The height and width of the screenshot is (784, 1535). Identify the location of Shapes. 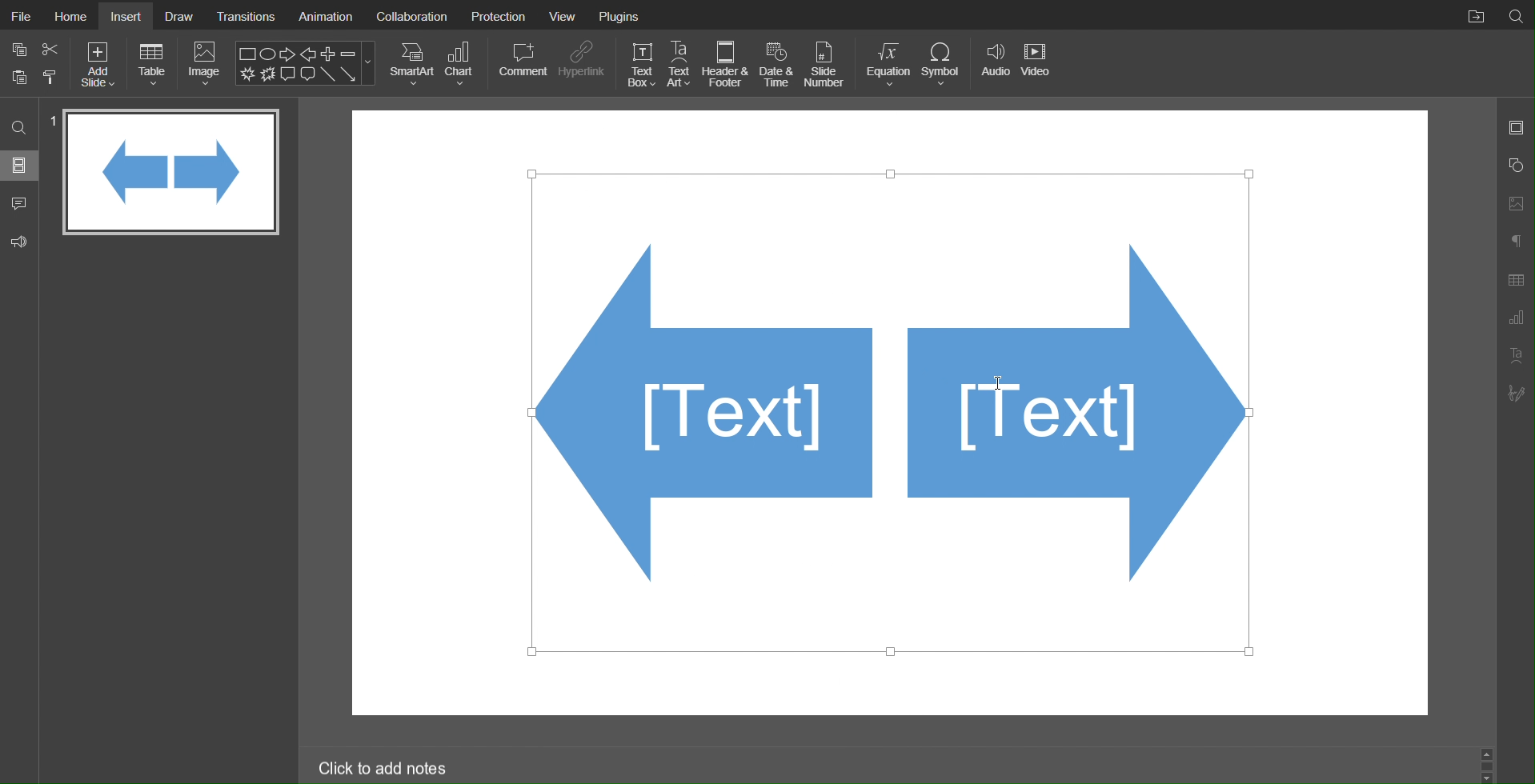
(891, 415).